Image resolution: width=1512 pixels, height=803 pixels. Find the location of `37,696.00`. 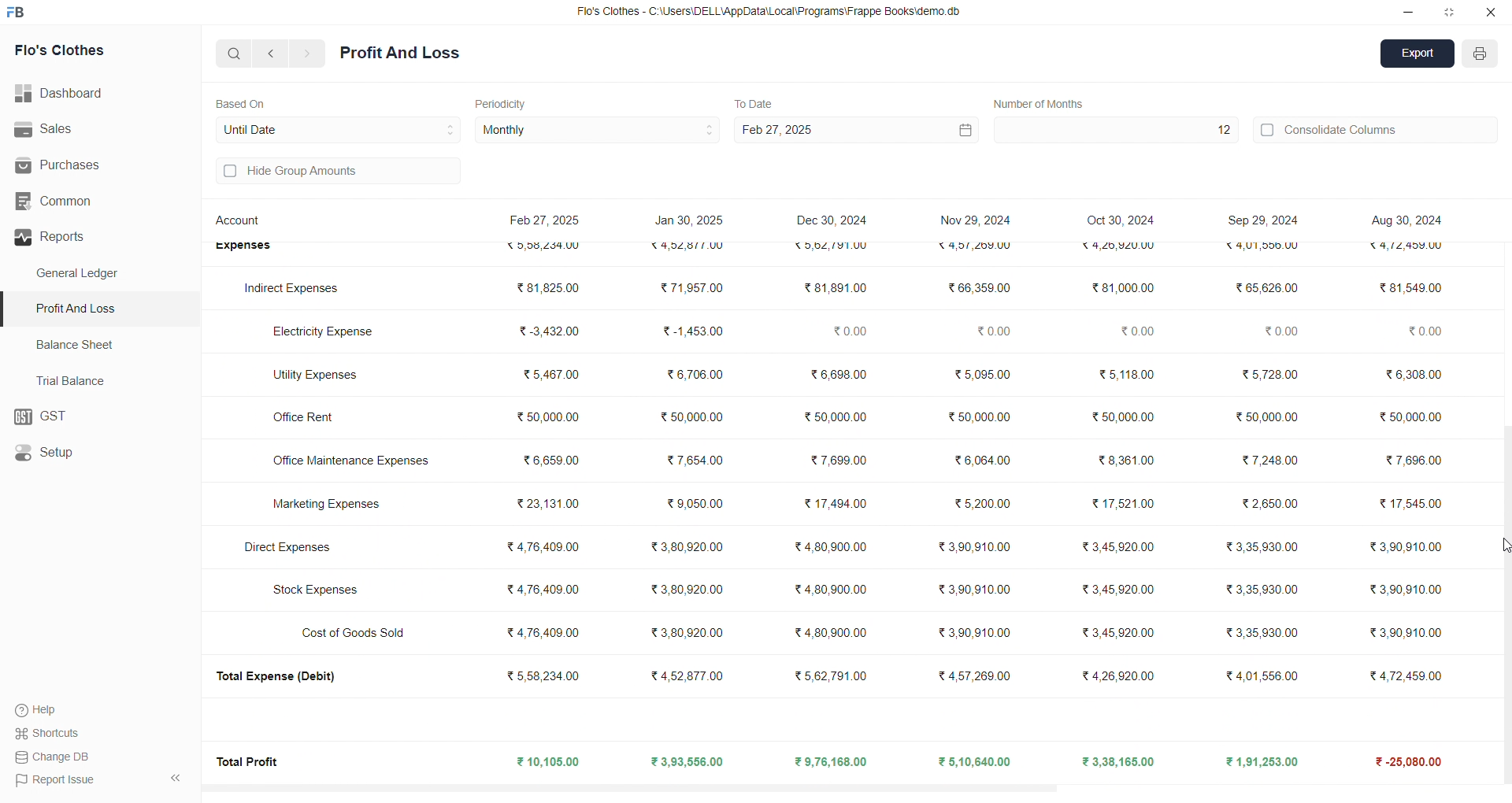

37,696.00 is located at coordinates (1412, 457).